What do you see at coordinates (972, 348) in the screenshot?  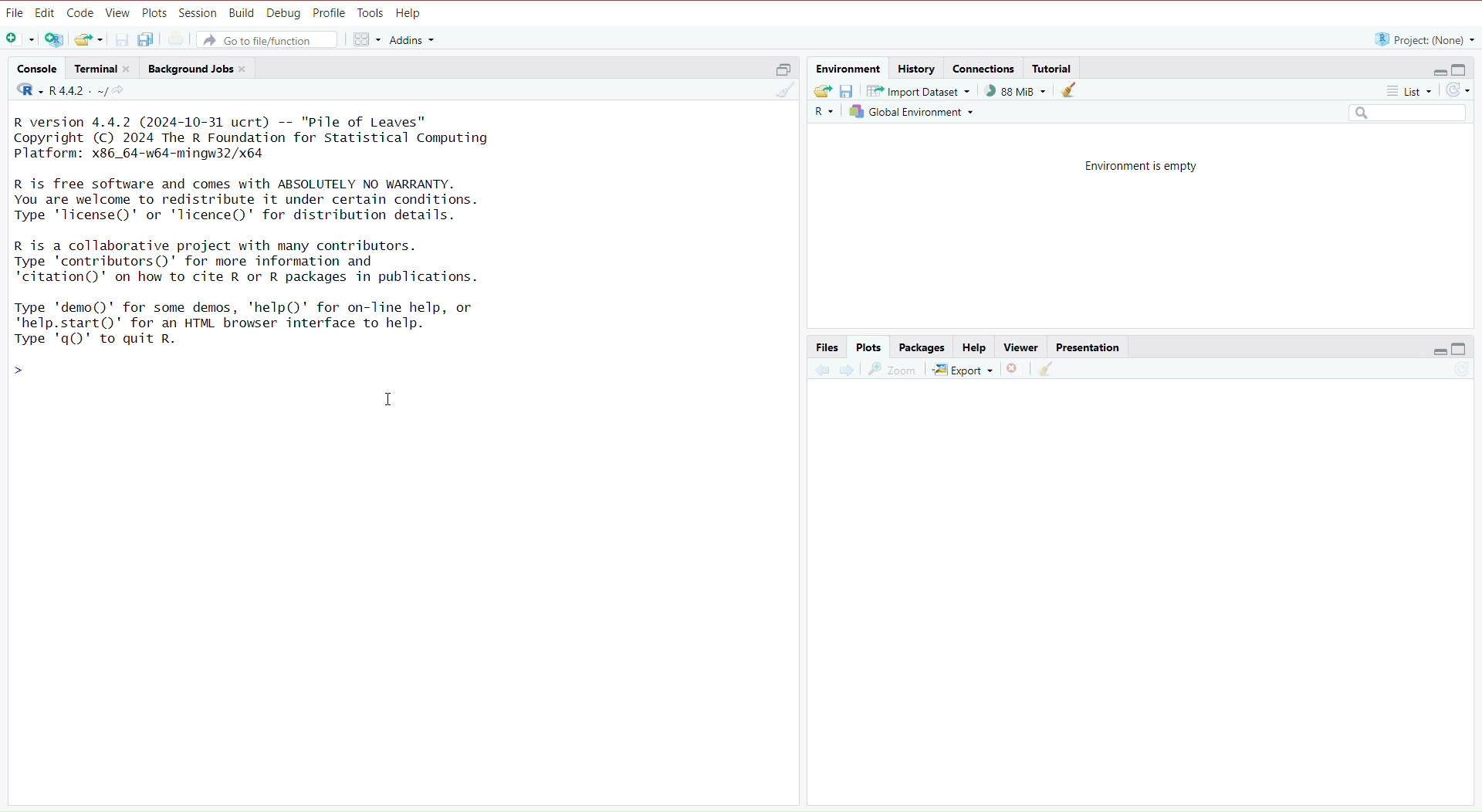 I see `help` at bounding box center [972, 348].